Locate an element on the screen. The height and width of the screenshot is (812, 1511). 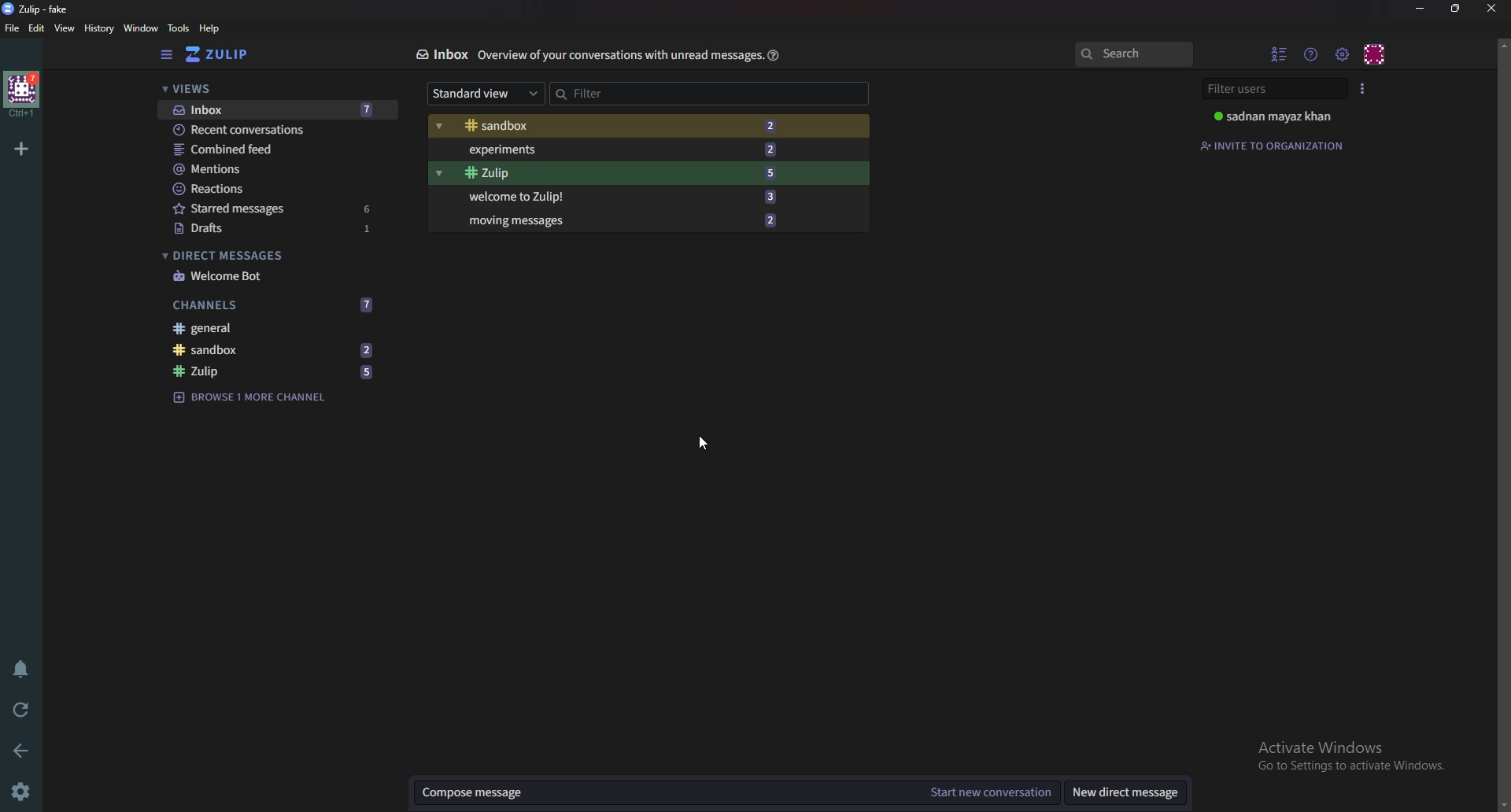
history is located at coordinates (98, 28).